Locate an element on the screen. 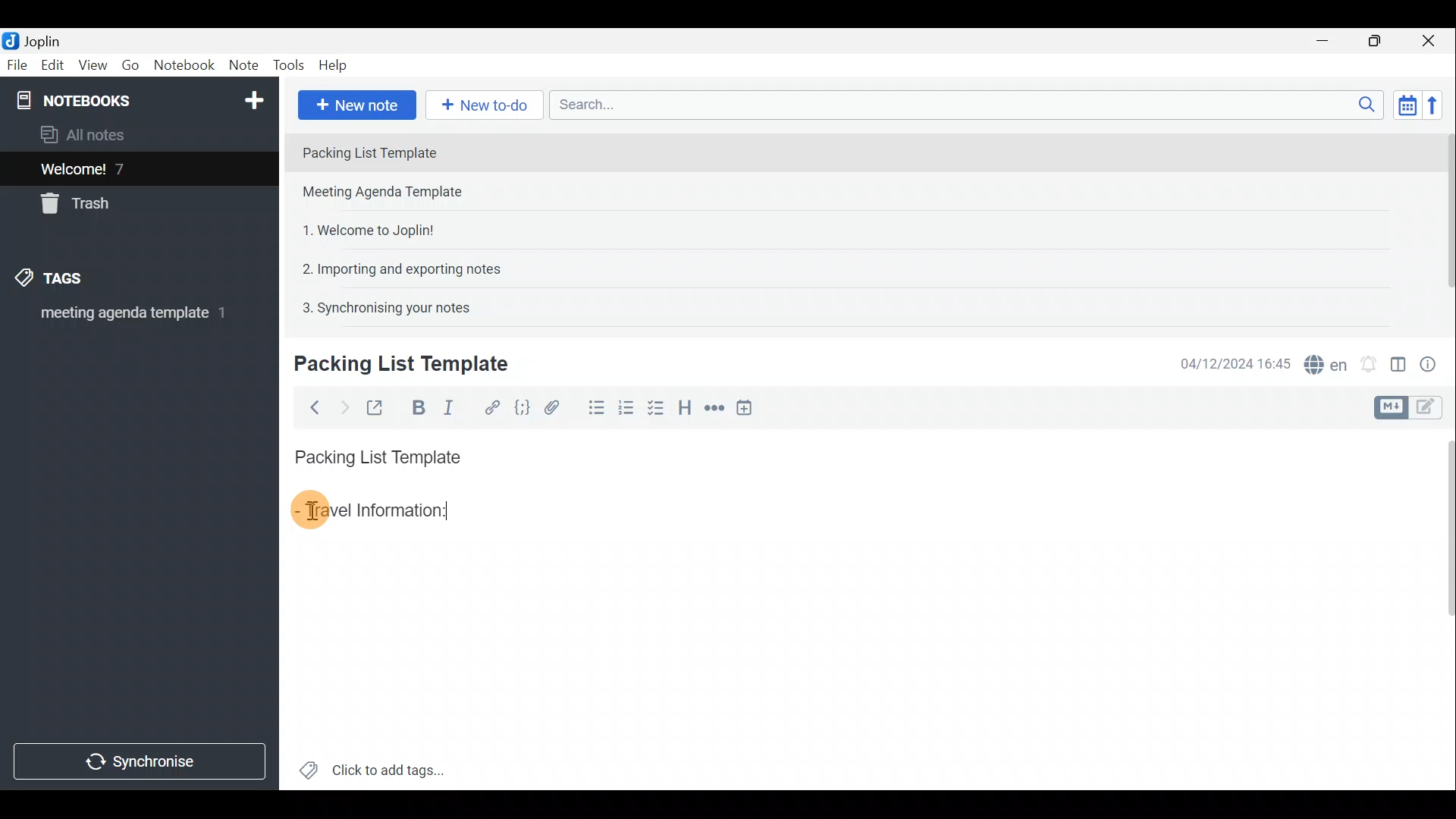 The height and width of the screenshot is (819, 1456). Attach file is located at coordinates (552, 406).